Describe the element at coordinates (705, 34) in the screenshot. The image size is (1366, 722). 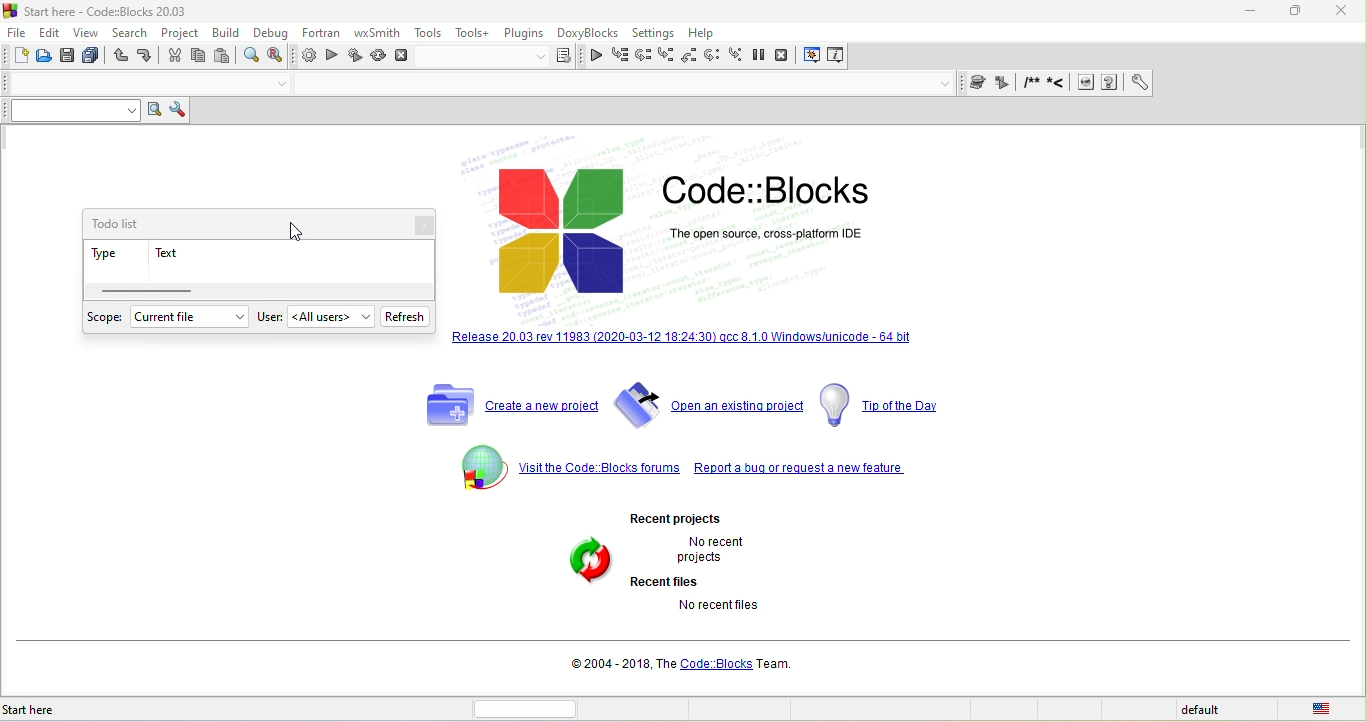
I see `help` at that location.